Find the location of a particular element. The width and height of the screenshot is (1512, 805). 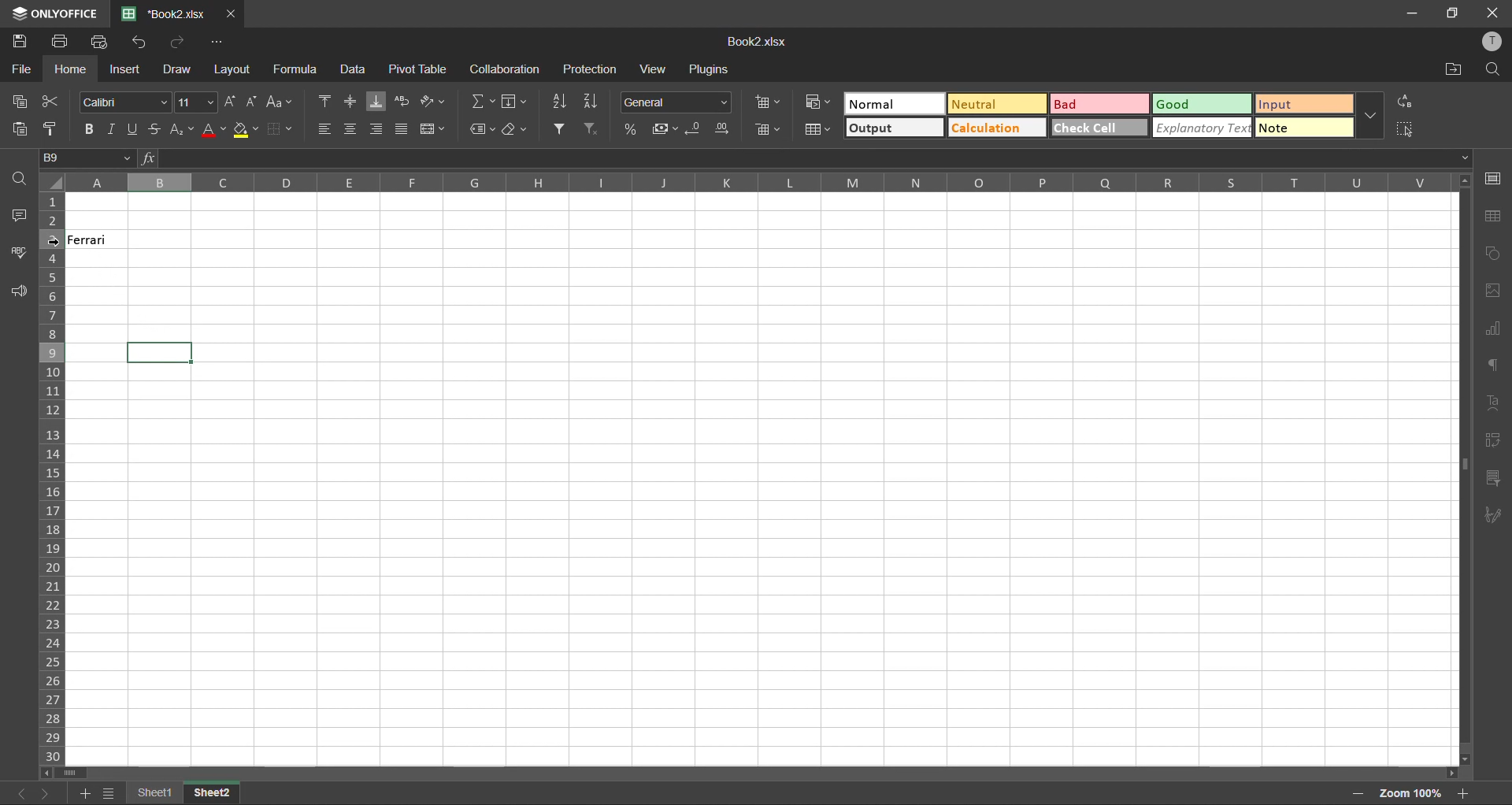

sheet2 is located at coordinates (214, 790).